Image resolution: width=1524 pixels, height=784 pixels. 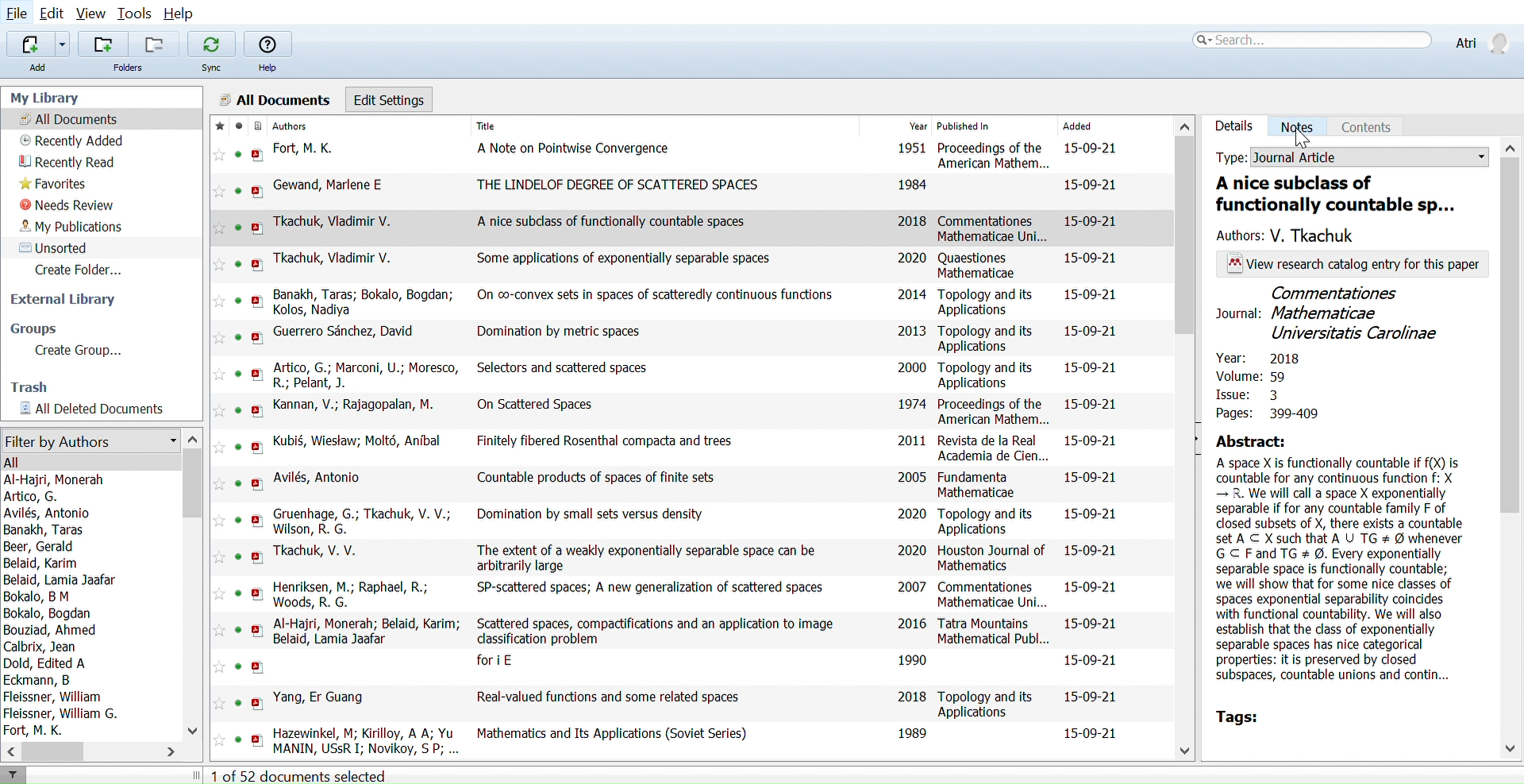 What do you see at coordinates (913, 149) in the screenshot?
I see `1951` at bounding box center [913, 149].